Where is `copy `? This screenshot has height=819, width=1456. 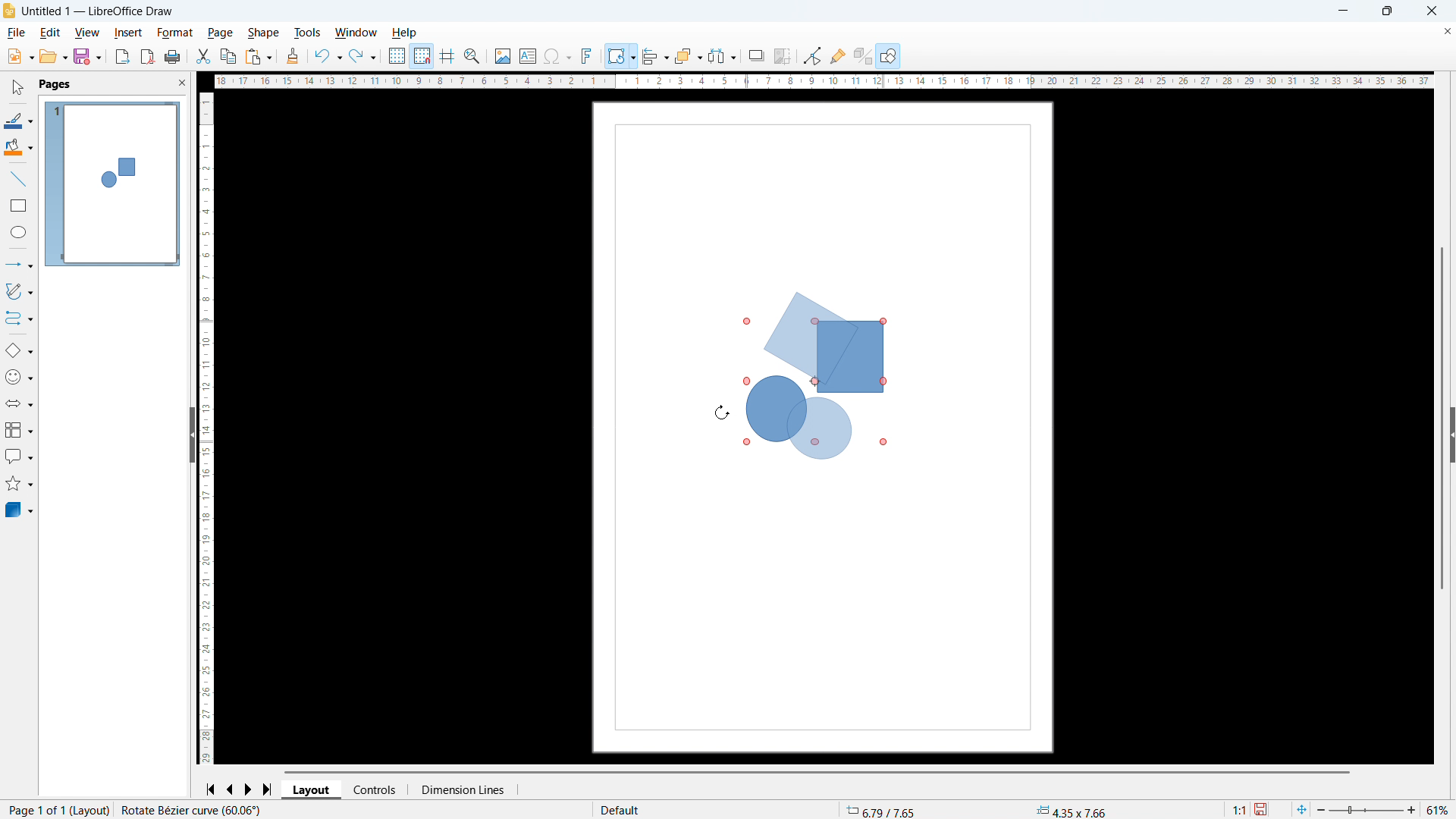
copy  is located at coordinates (229, 56).